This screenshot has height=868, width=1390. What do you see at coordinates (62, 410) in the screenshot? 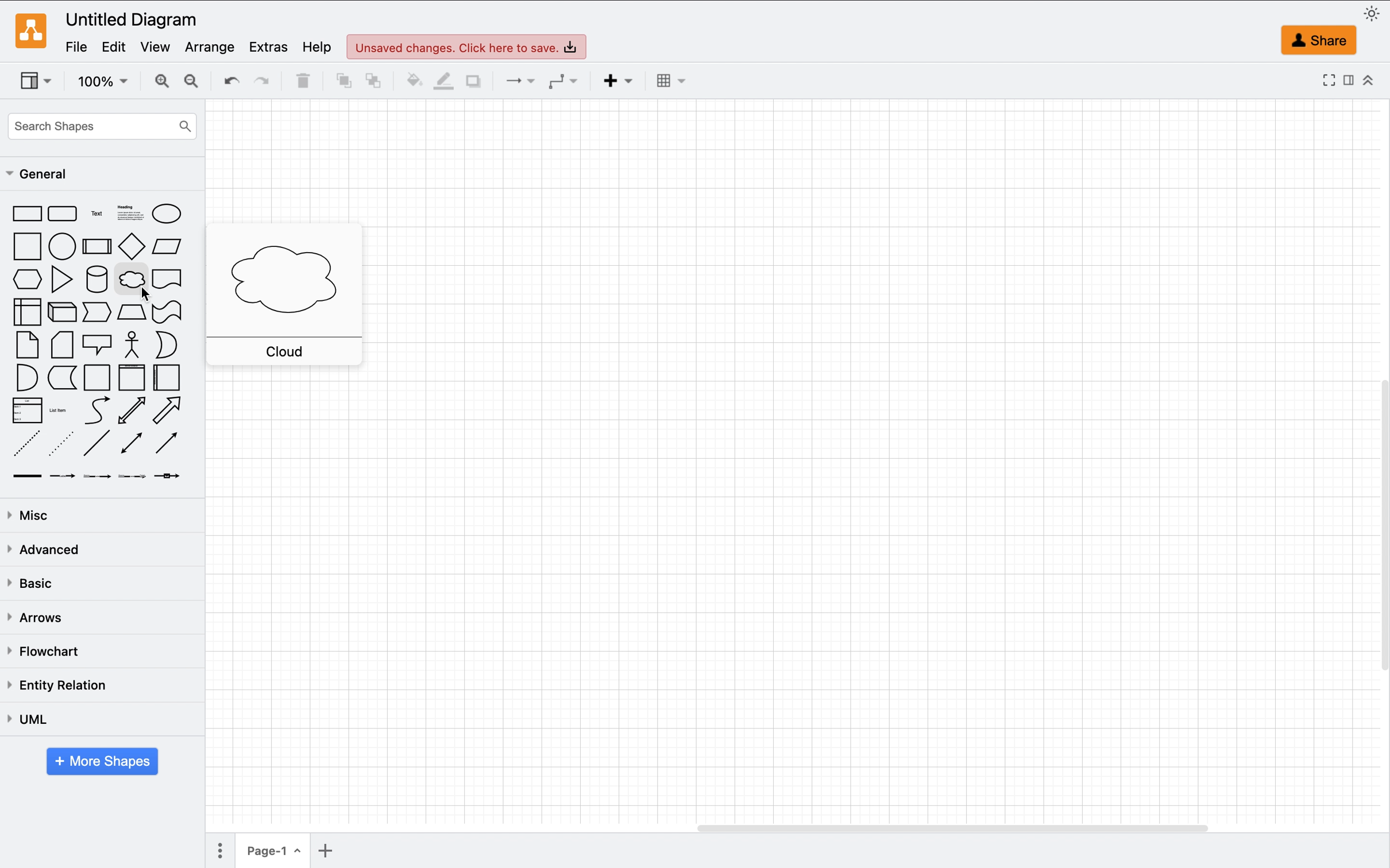
I see `list item` at bounding box center [62, 410].